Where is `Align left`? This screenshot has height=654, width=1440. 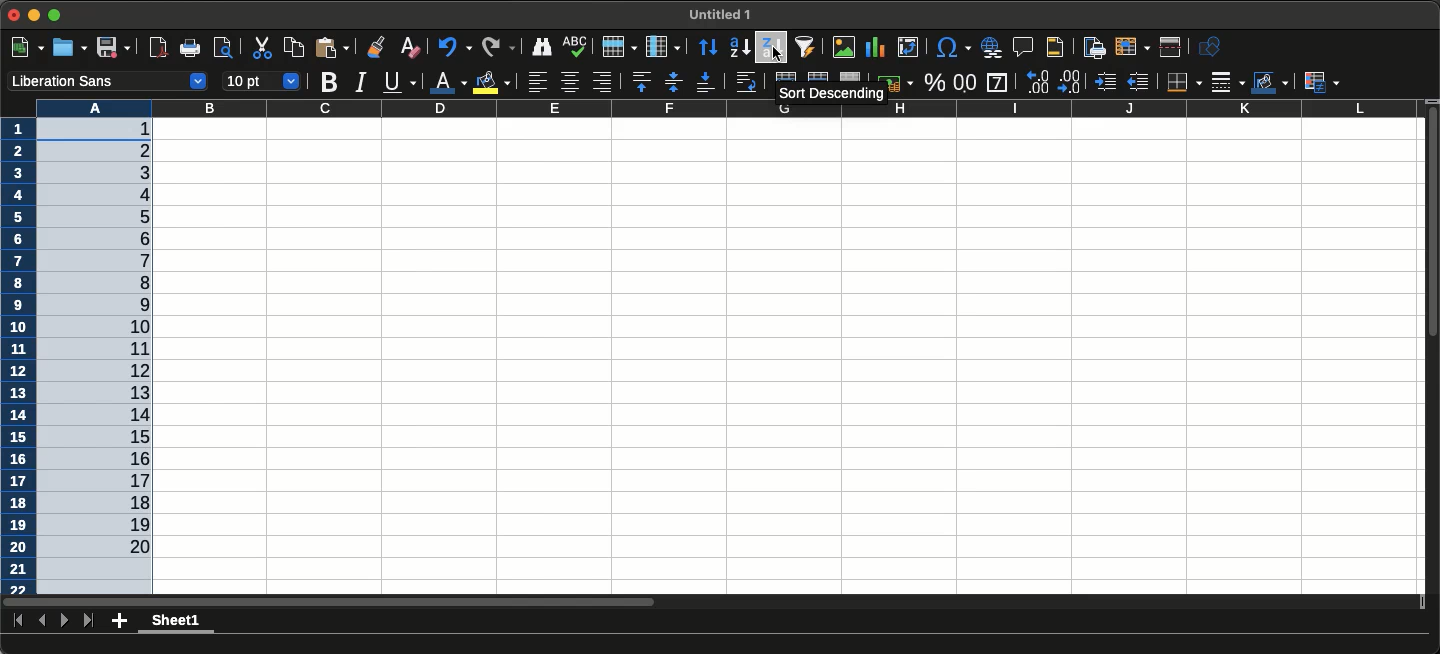
Align left is located at coordinates (539, 83).